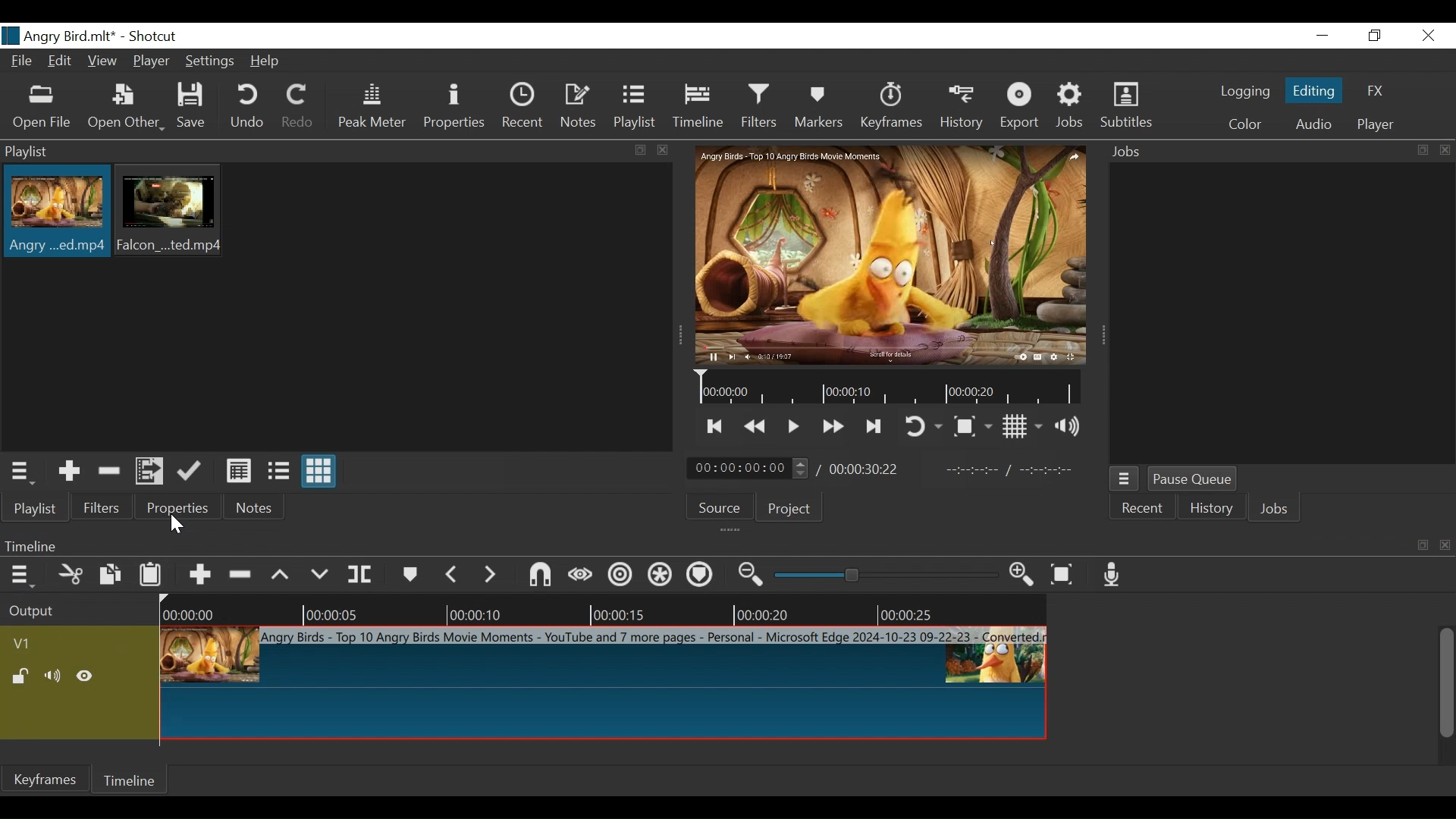 The width and height of the screenshot is (1456, 819). Describe the element at coordinates (172, 212) in the screenshot. I see `Clip` at that location.